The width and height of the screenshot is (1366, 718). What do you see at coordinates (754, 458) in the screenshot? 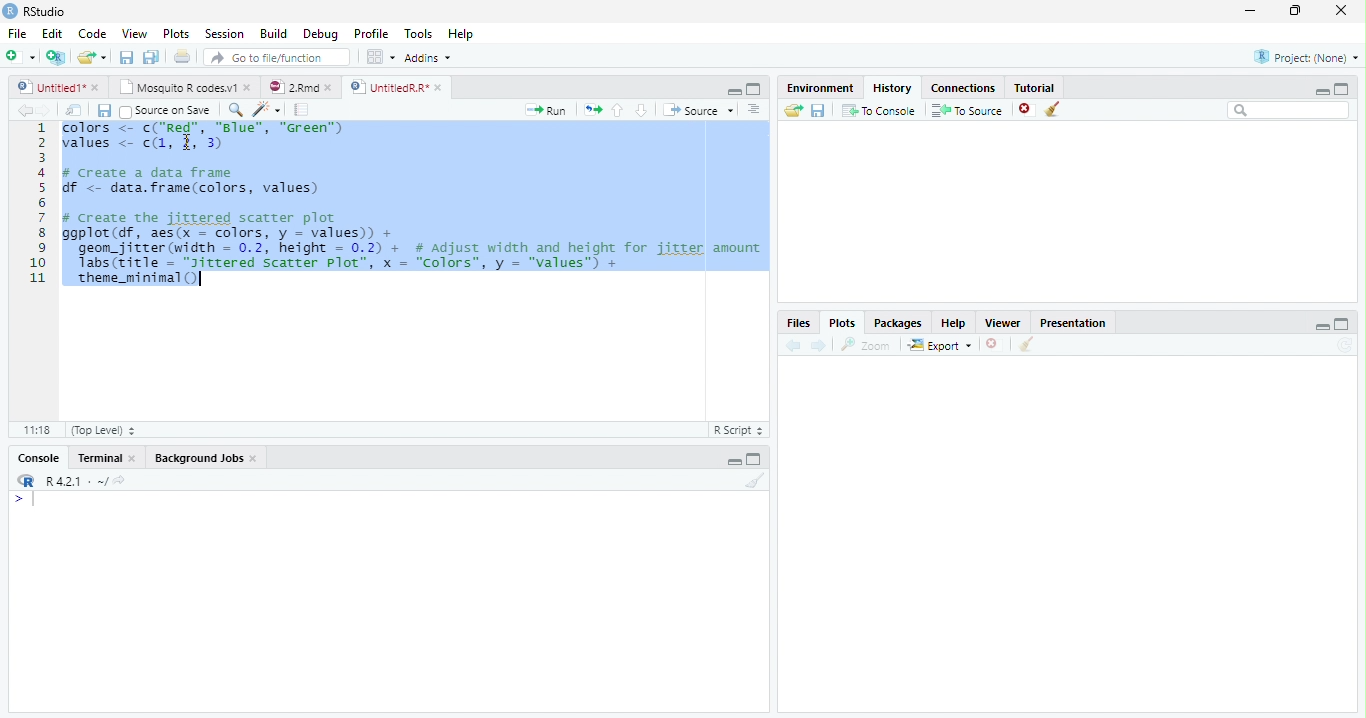
I see `Maximize` at bounding box center [754, 458].